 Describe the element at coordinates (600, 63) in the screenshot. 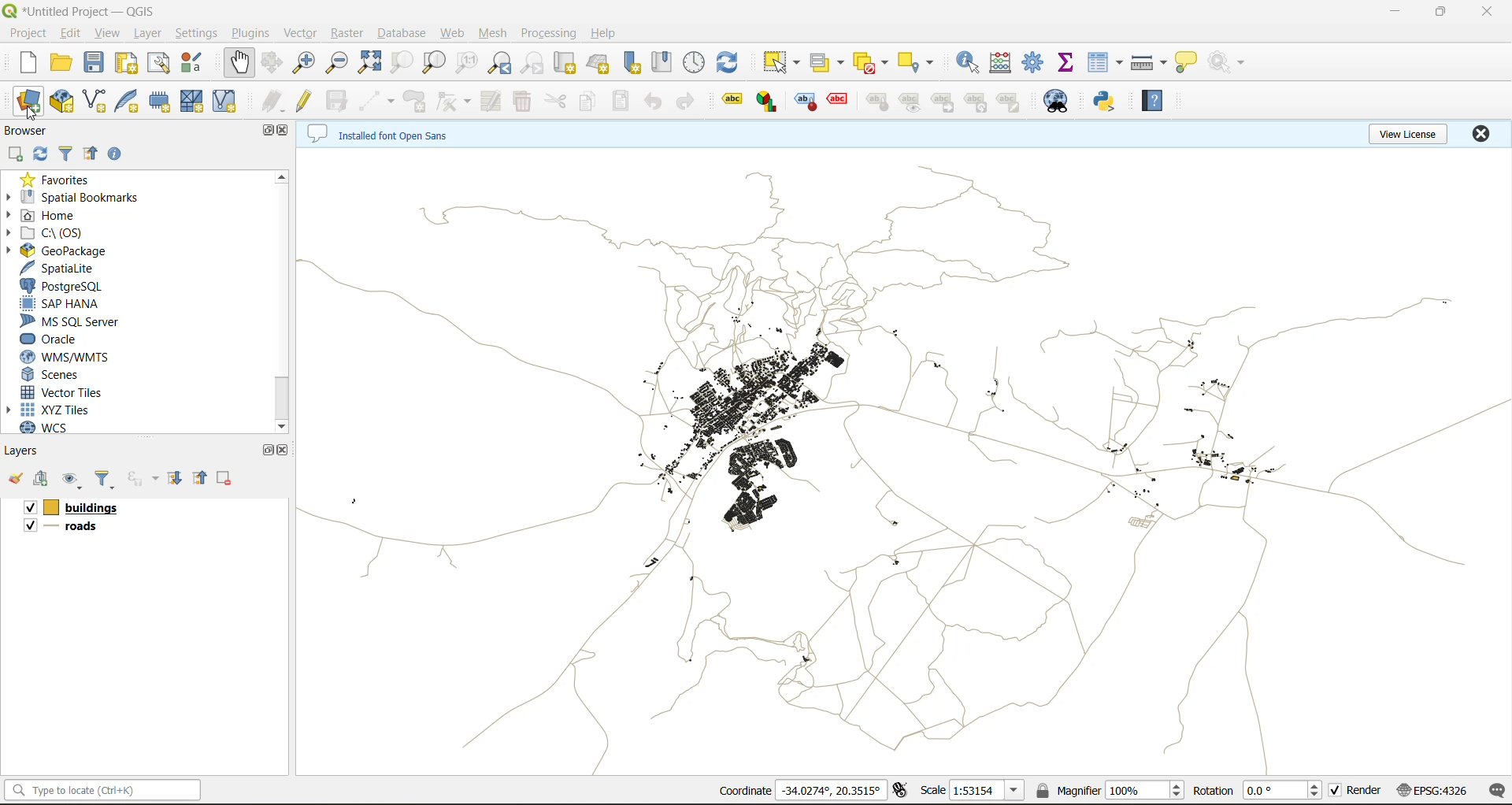

I see `new 3d map` at that location.